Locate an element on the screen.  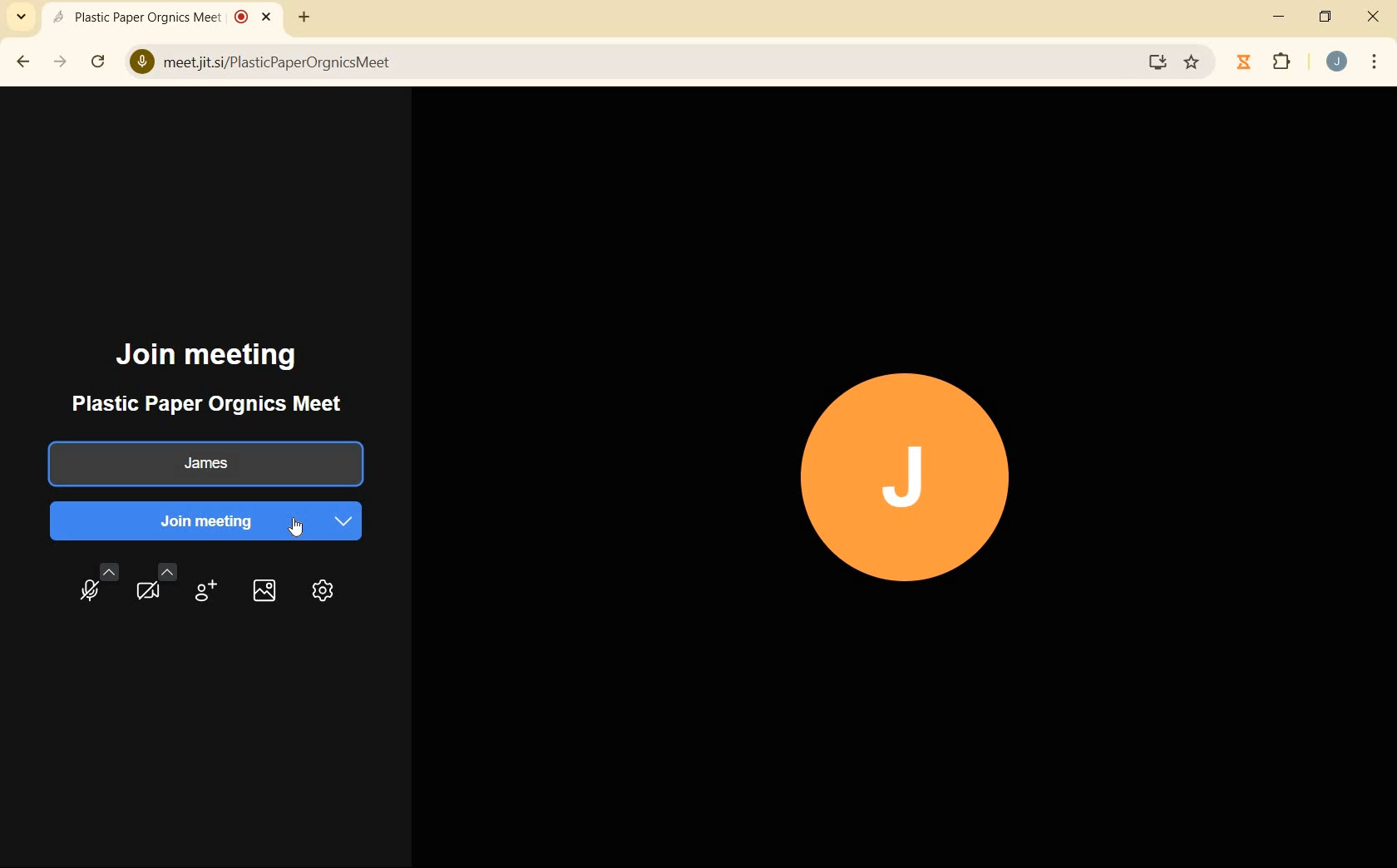
Meeting title is located at coordinates (213, 404).